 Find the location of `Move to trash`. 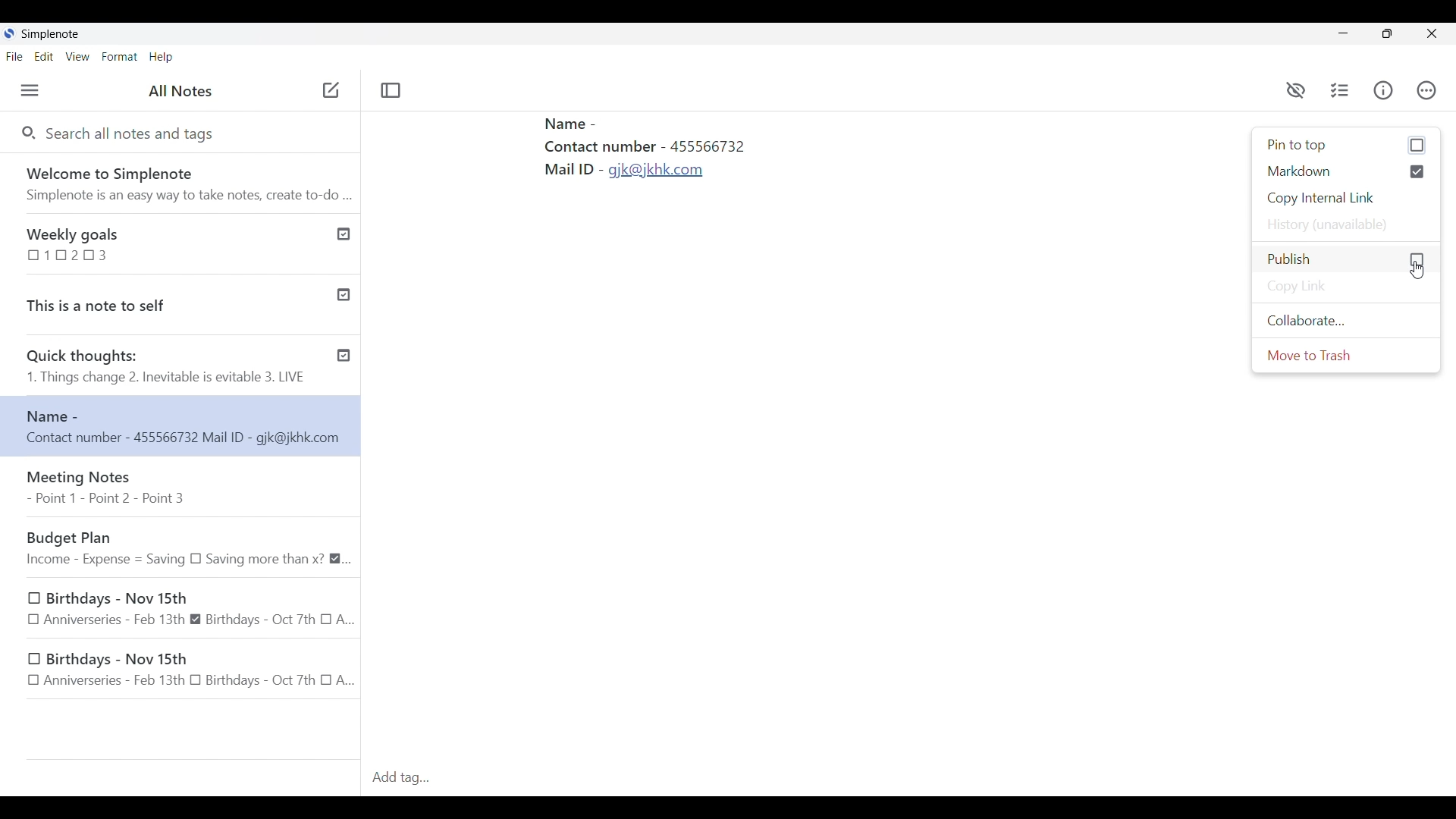

Move to trash is located at coordinates (1347, 355).